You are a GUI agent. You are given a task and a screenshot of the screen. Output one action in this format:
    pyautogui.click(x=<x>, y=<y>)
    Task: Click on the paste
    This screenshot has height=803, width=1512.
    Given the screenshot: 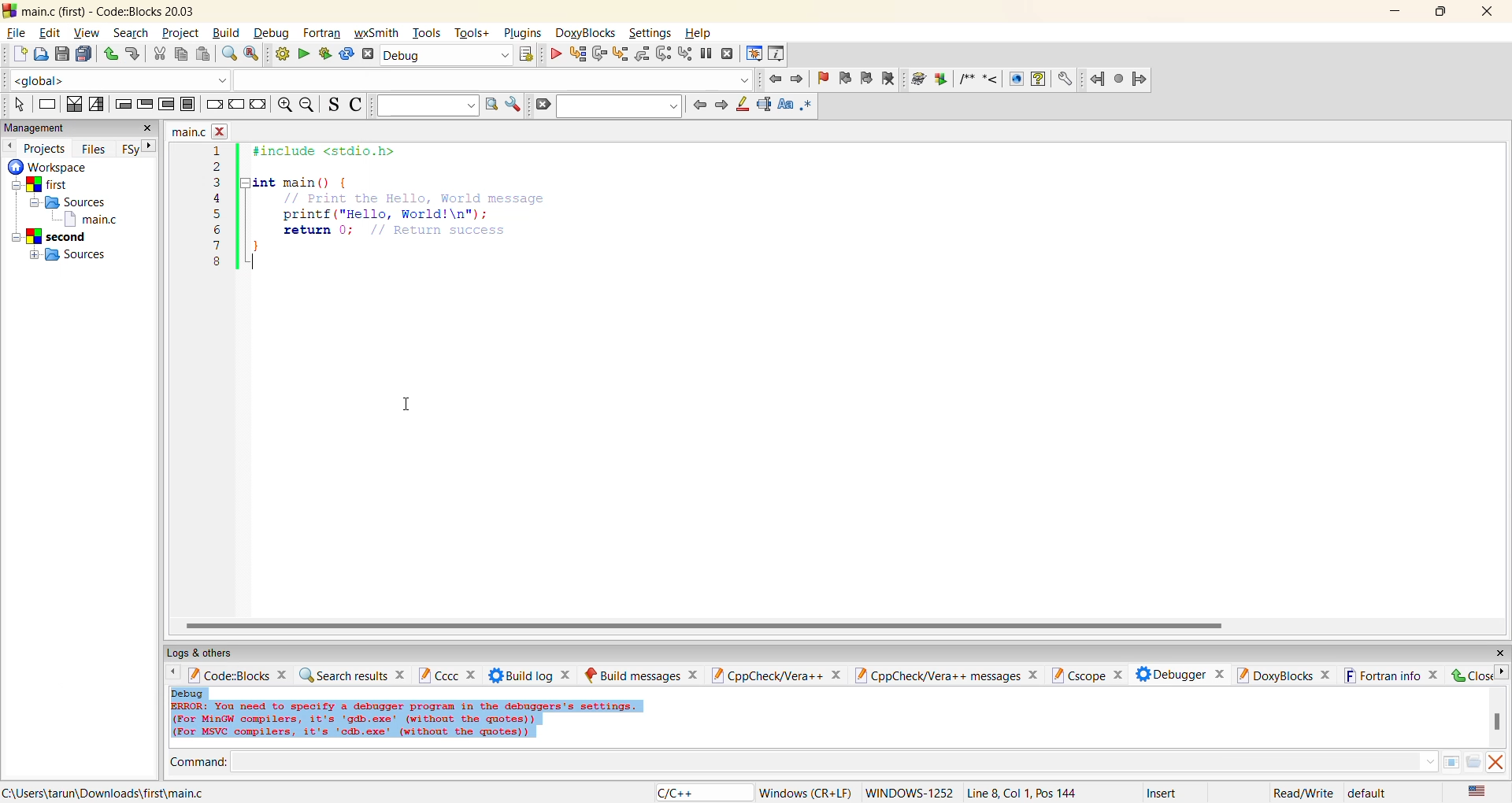 What is the action you would take?
    pyautogui.click(x=201, y=57)
    